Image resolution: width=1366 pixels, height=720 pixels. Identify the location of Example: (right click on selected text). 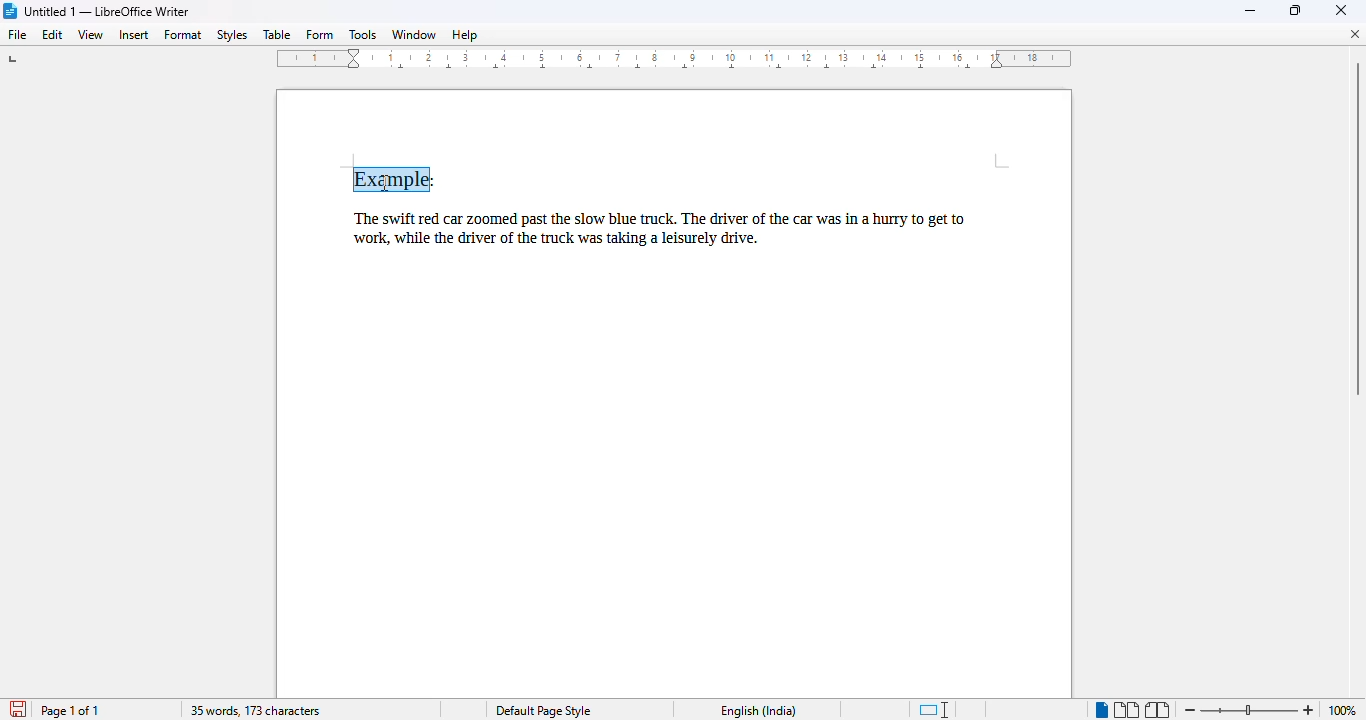
(396, 179).